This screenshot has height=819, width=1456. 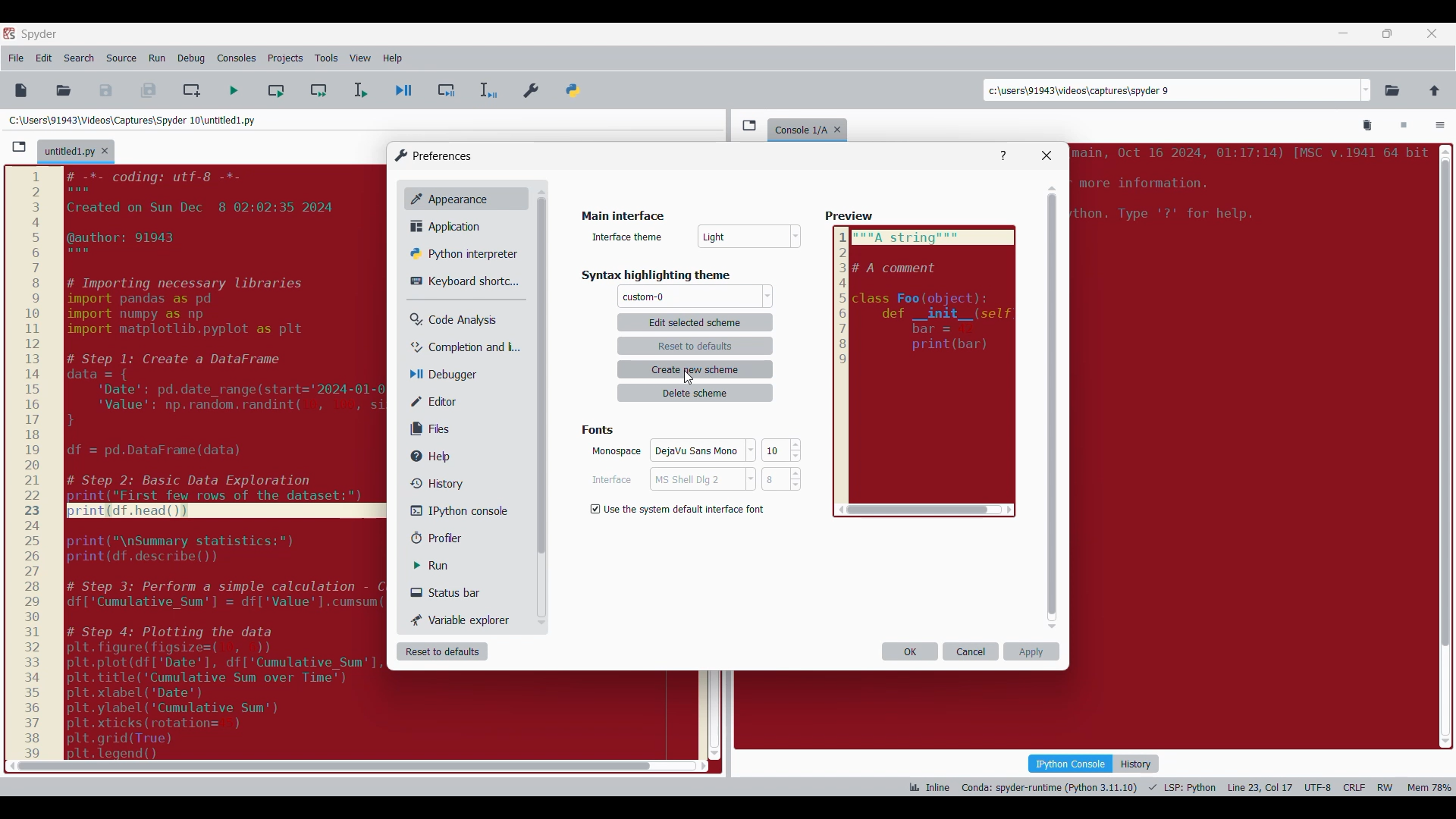 What do you see at coordinates (576, 87) in the screenshot?
I see `PYTHONPATH manager` at bounding box center [576, 87].